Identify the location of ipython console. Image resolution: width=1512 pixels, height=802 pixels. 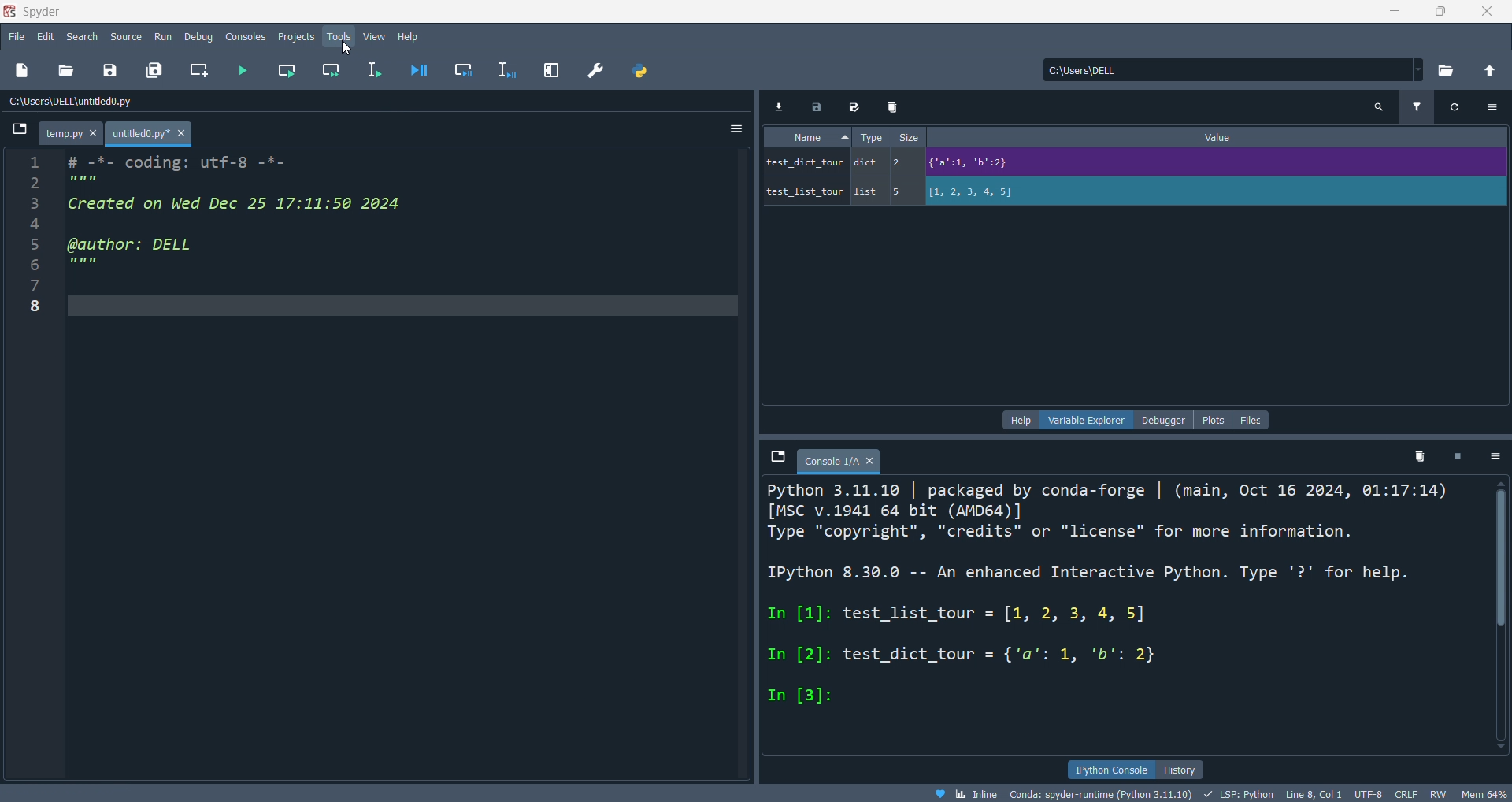
(1110, 770).